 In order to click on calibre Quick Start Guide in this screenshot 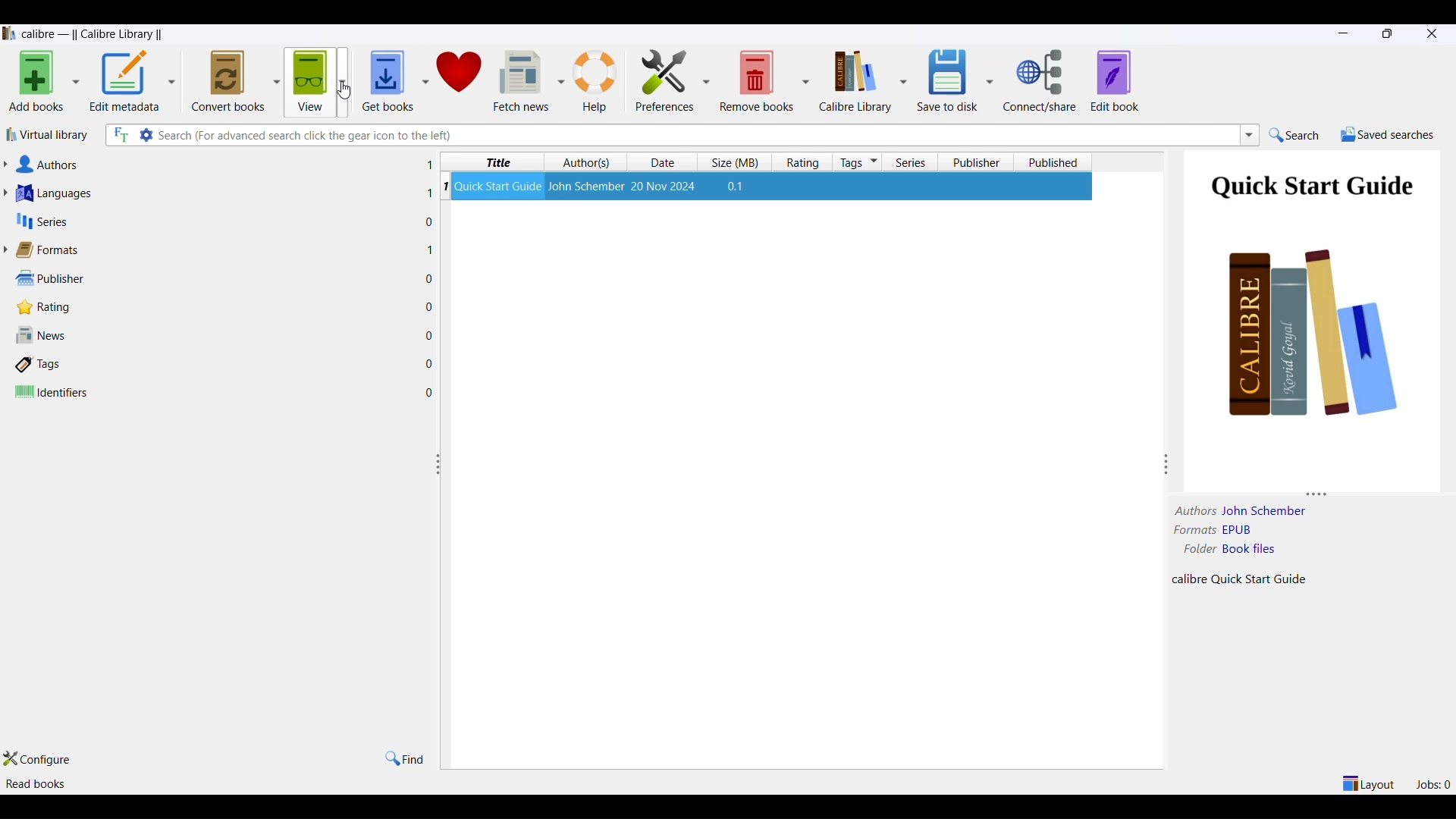, I will do `click(1254, 579)`.